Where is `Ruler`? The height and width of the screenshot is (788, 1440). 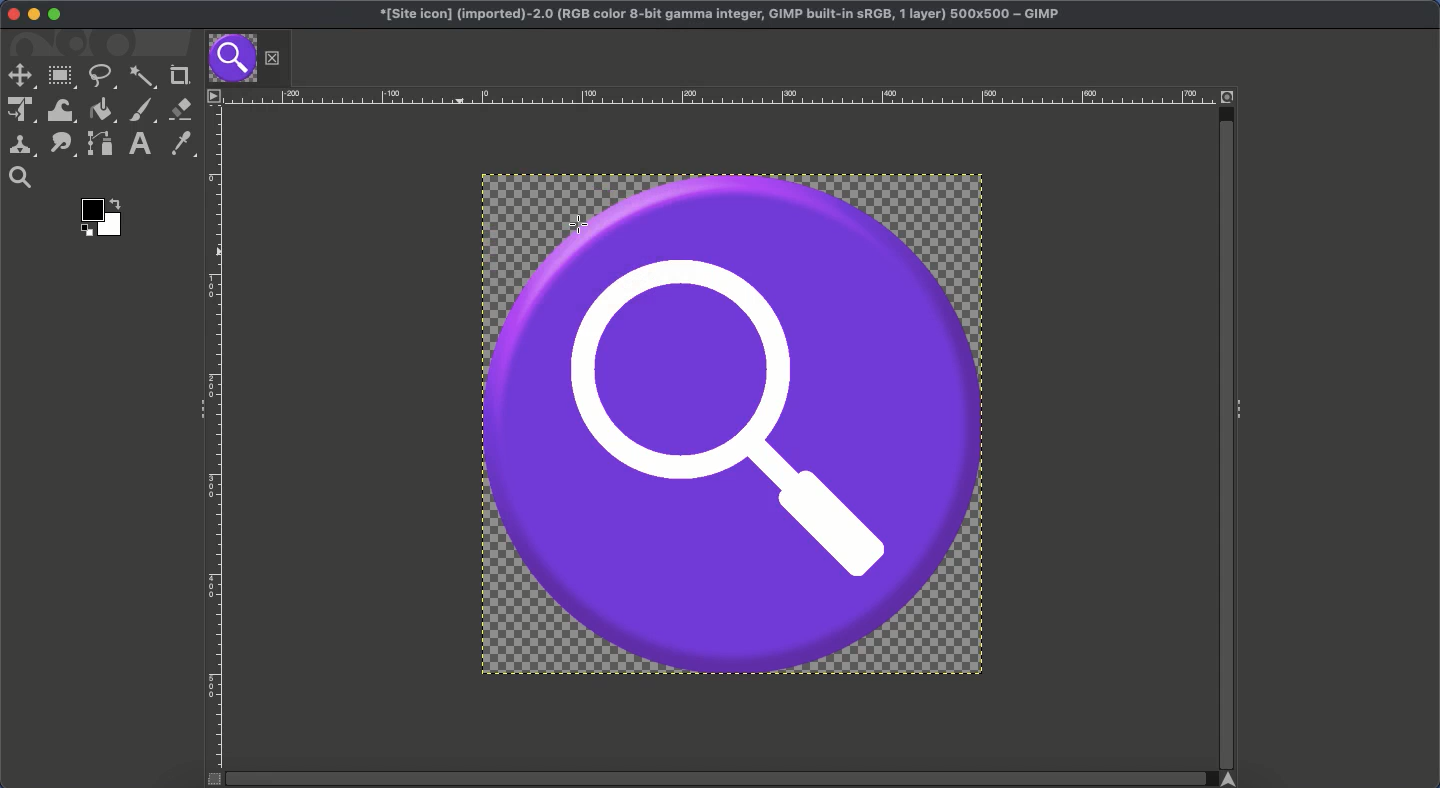 Ruler is located at coordinates (217, 438).